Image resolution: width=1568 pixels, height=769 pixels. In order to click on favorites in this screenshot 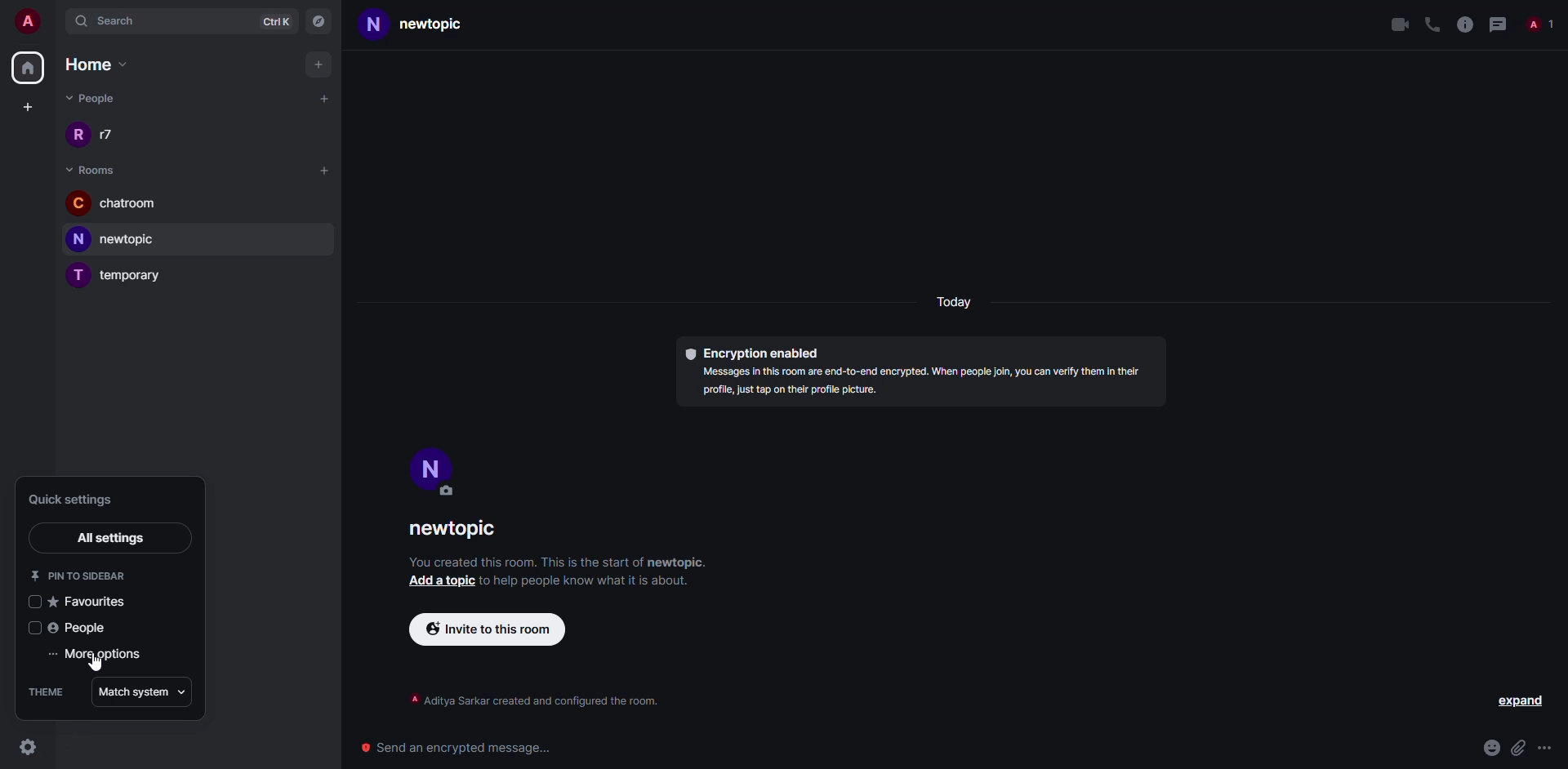, I will do `click(92, 603)`.